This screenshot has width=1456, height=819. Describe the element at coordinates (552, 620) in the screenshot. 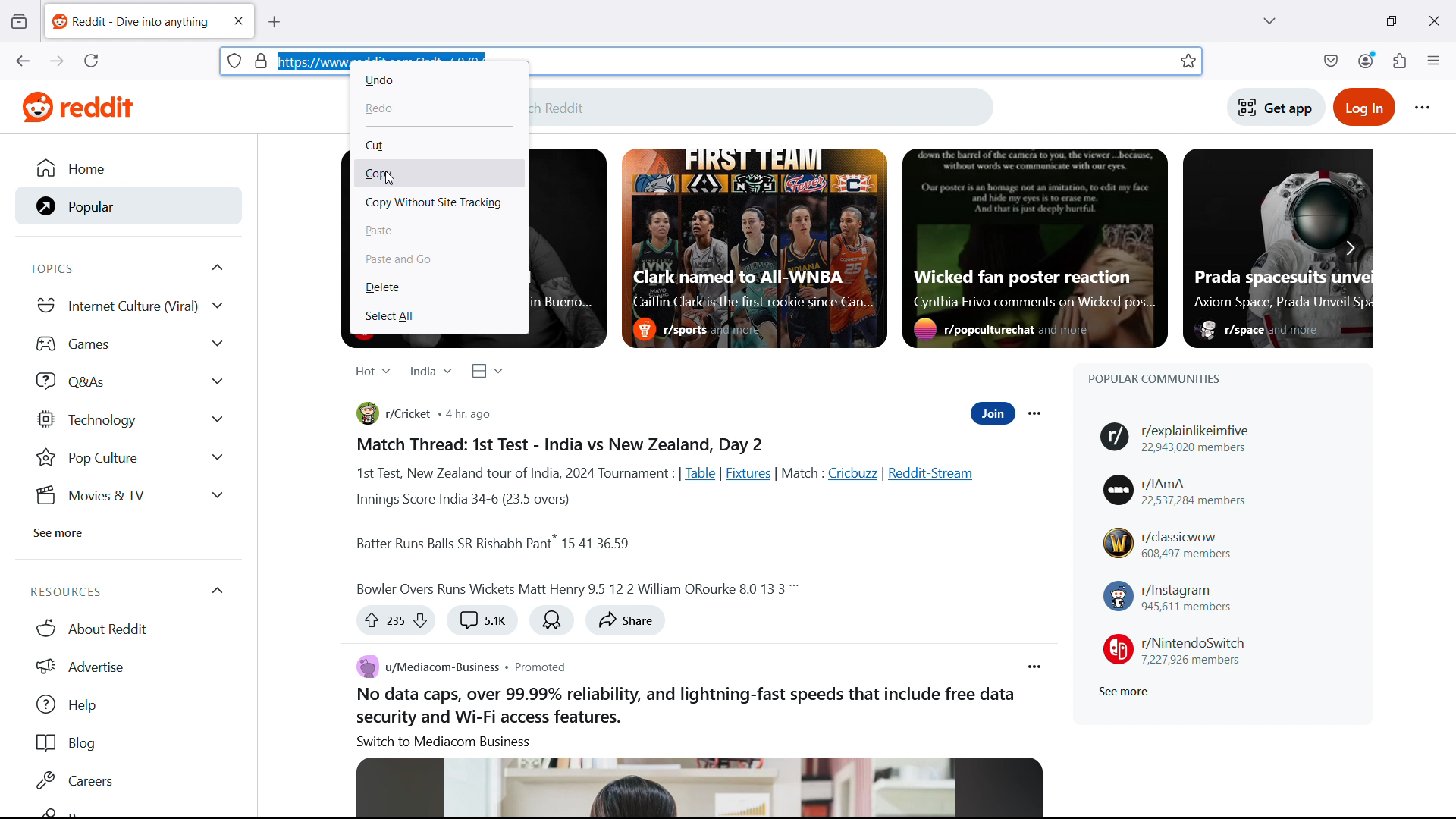

I see `Award` at that location.